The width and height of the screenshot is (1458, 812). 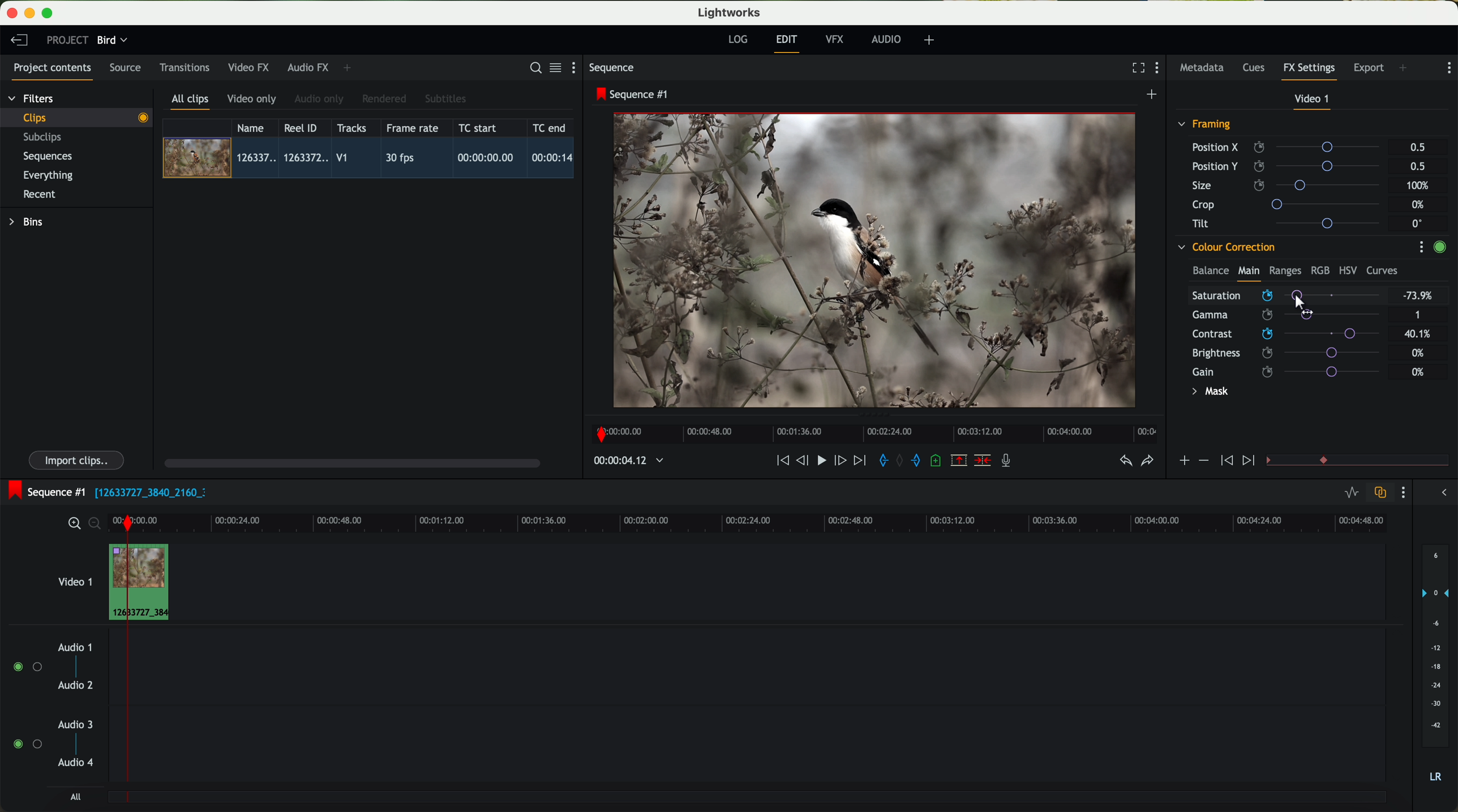 What do you see at coordinates (350, 68) in the screenshot?
I see `add panel` at bounding box center [350, 68].